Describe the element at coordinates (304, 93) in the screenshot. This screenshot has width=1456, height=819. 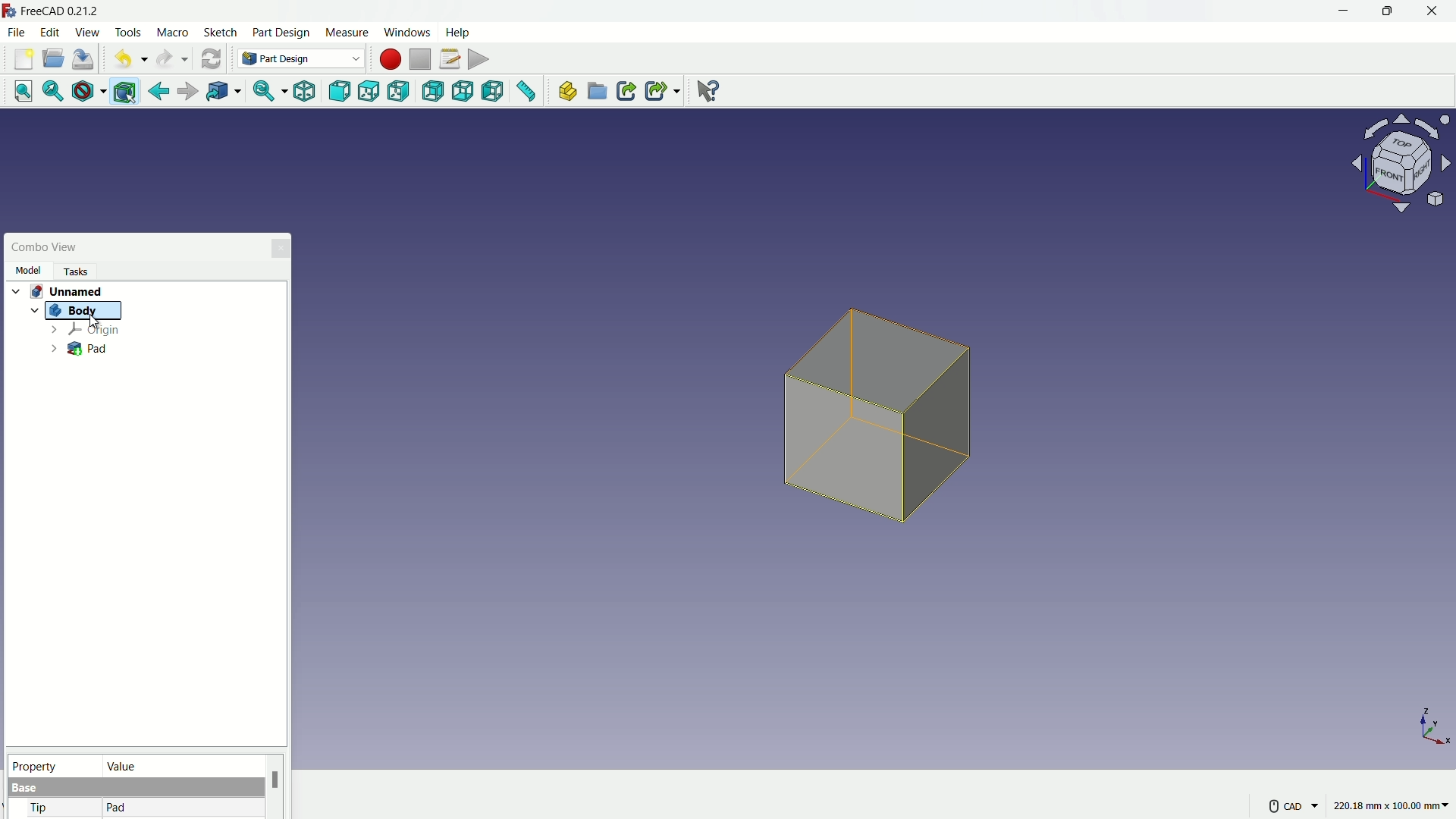
I see `isometric view` at that location.